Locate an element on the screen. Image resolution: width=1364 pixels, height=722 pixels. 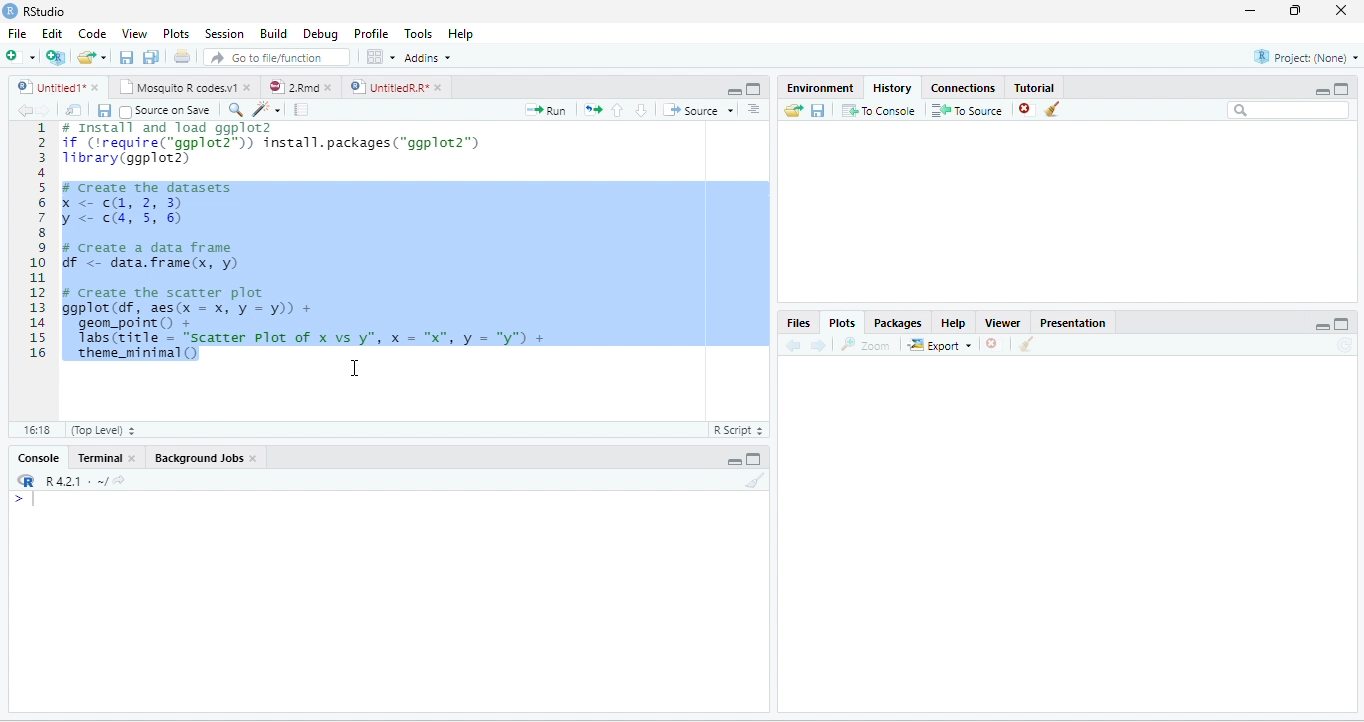
Go to file/function is located at coordinates (277, 56).